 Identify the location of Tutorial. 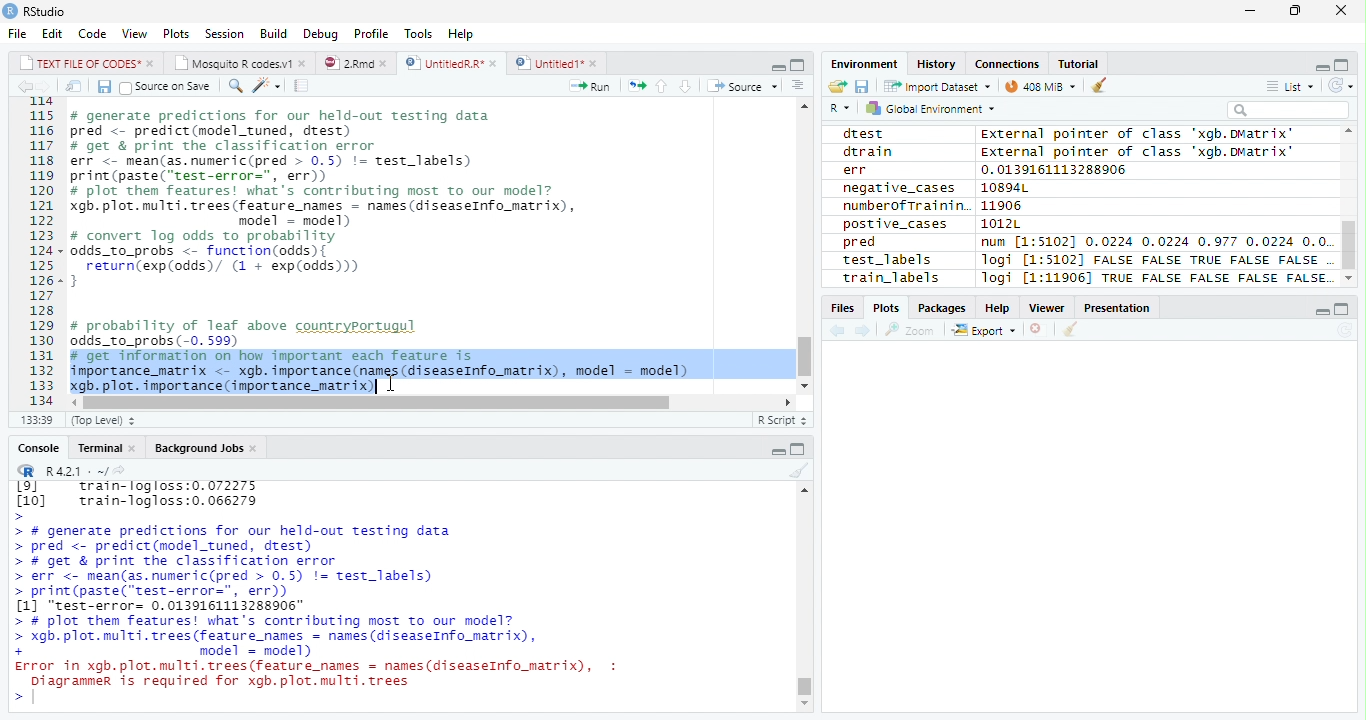
(1081, 63).